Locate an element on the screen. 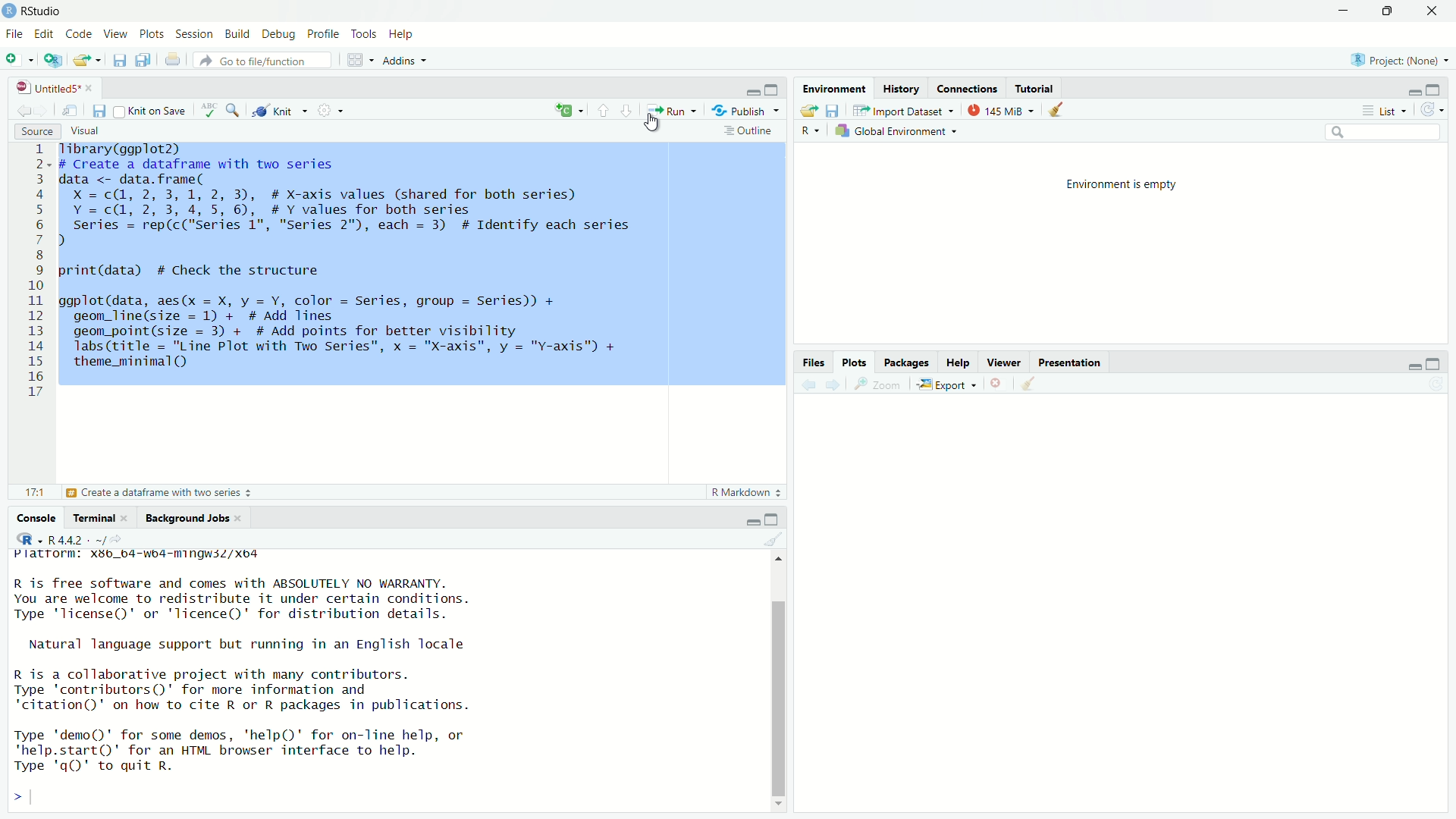 The width and height of the screenshot is (1456, 819). R 4.4.2 is located at coordinates (73, 539).